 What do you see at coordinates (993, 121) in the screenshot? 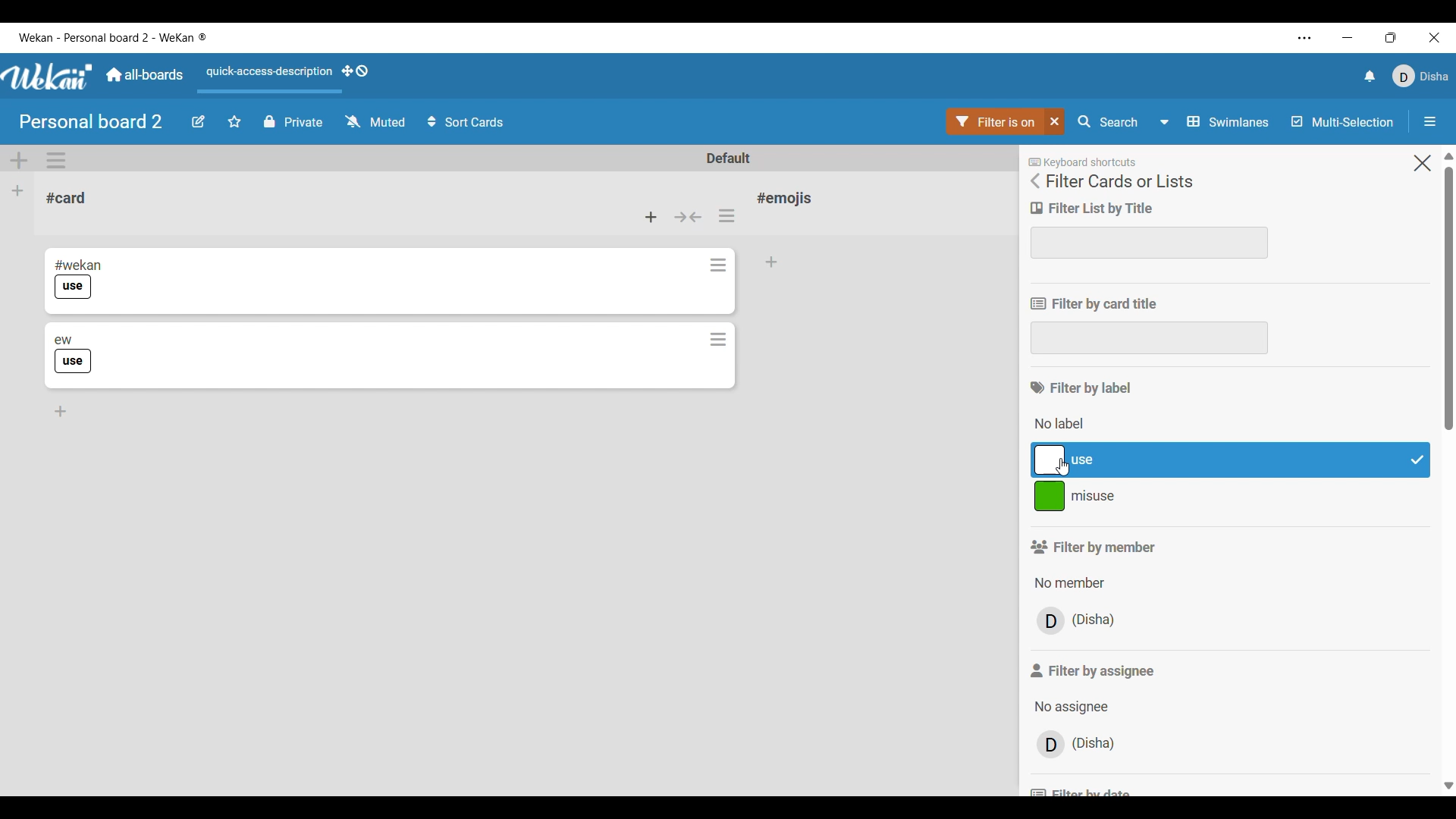
I see `Go to filter settings` at bounding box center [993, 121].